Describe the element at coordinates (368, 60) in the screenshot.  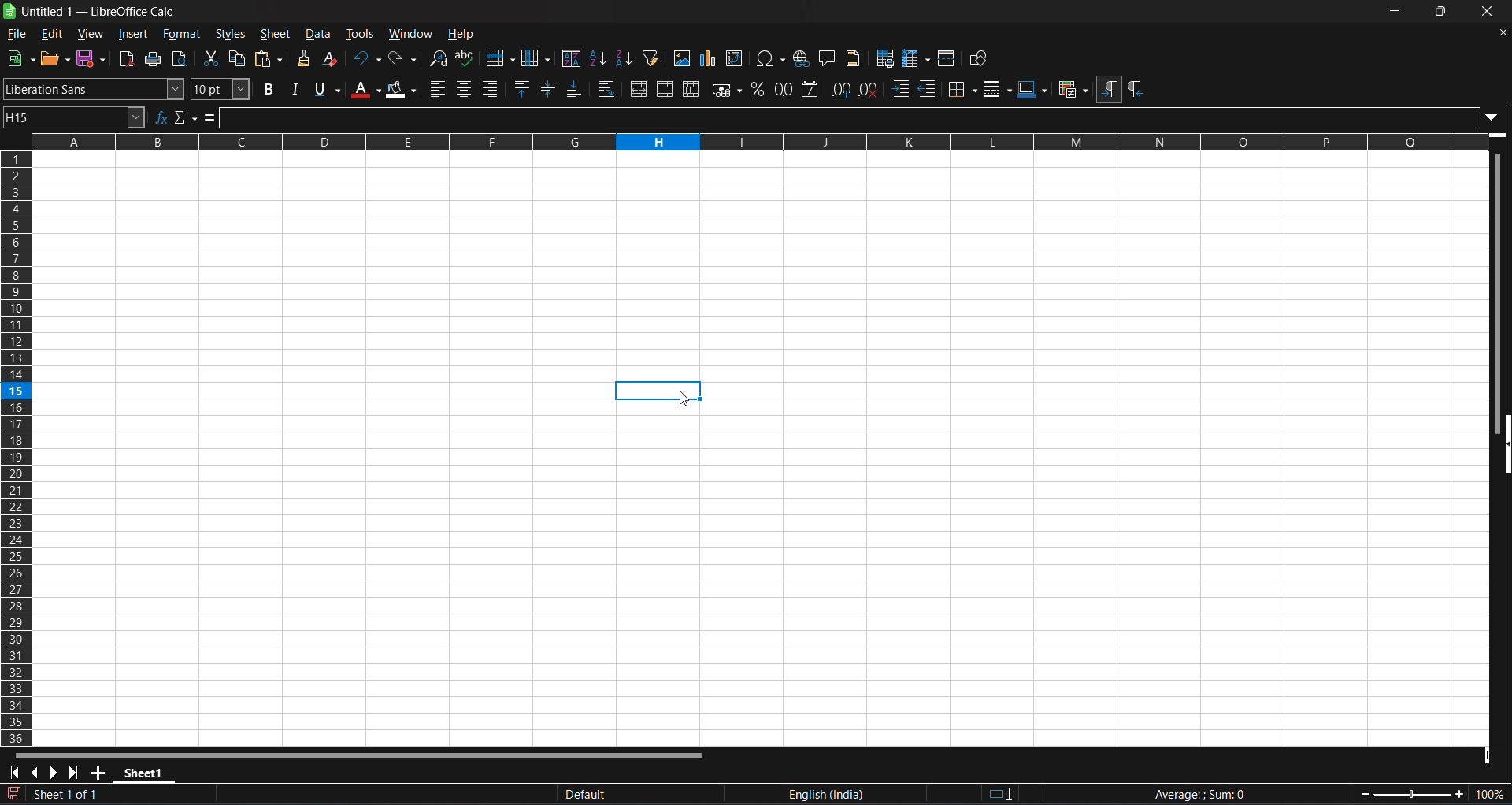
I see `undo` at that location.